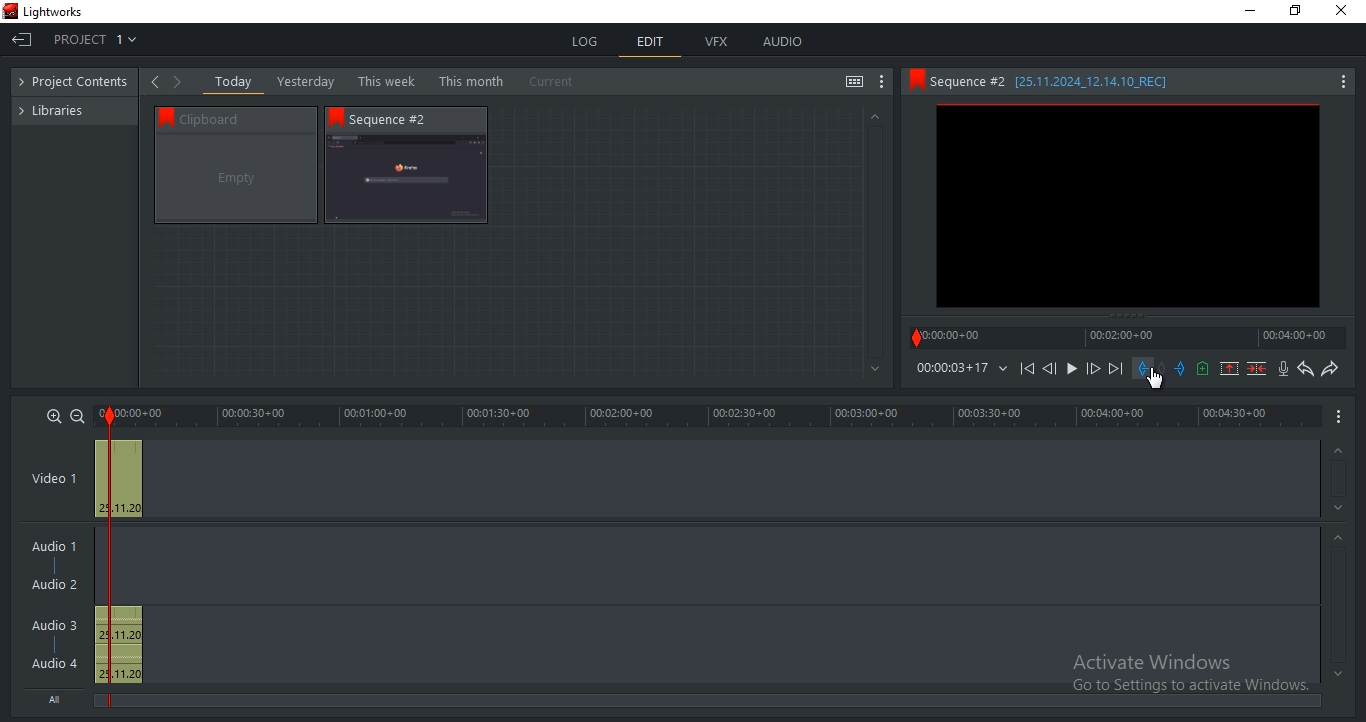 The height and width of the screenshot is (722, 1366). What do you see at coordinates (1150, 374) in the screenshot?
I see `Selection Cursor` at bounding box center [1150, 374].